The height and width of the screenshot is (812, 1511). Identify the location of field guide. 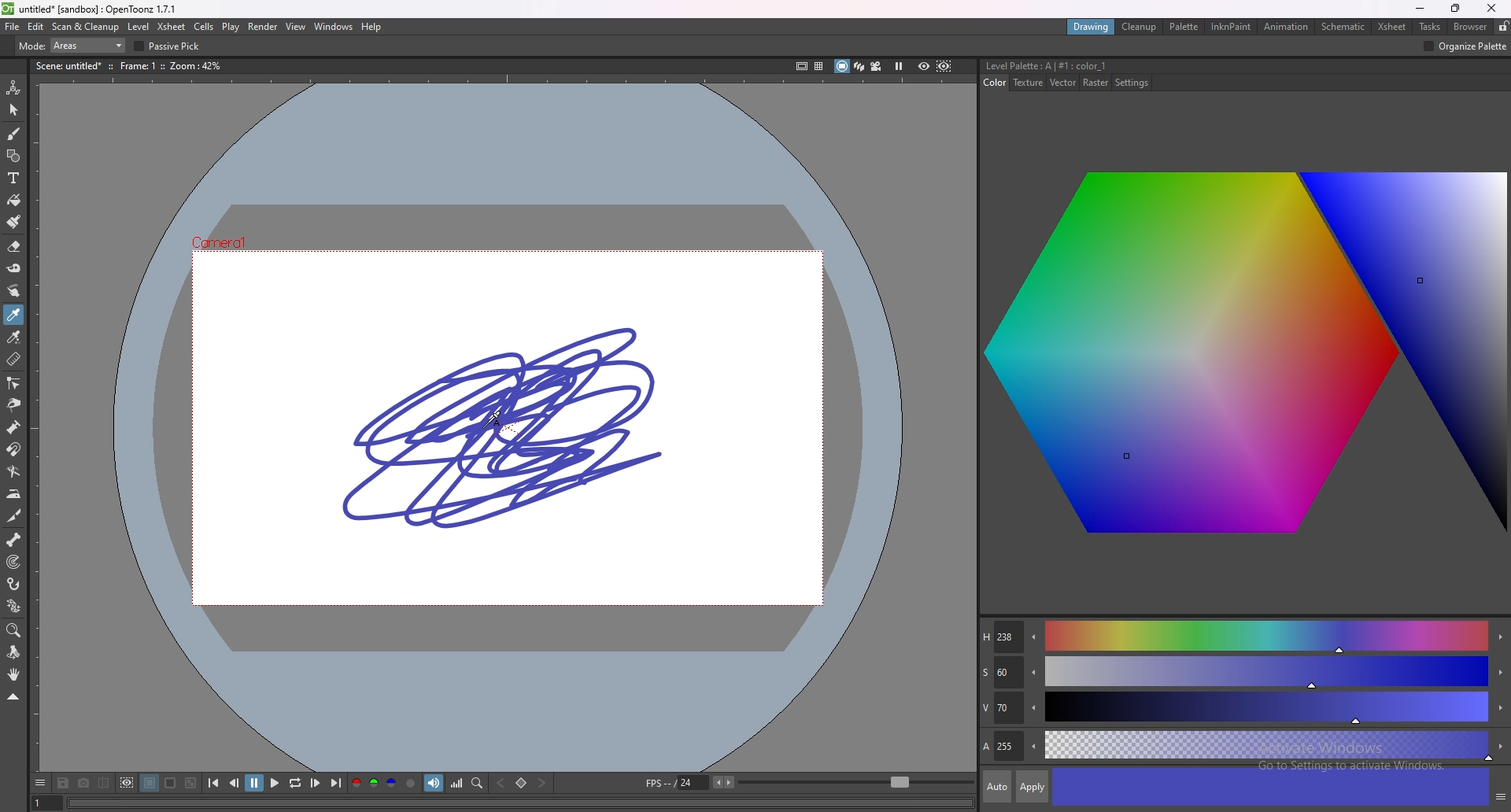
(819, 66).